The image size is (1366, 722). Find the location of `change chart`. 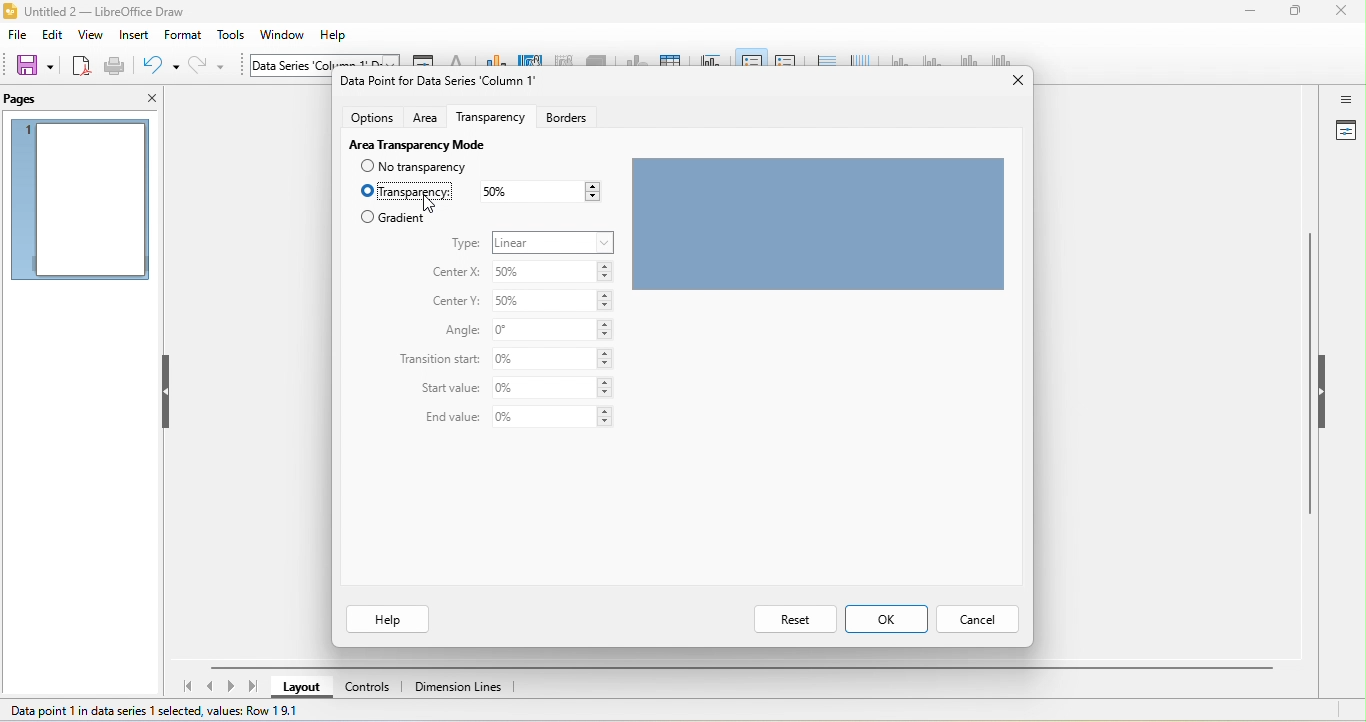

change chart is located at coordinates (493, 58).